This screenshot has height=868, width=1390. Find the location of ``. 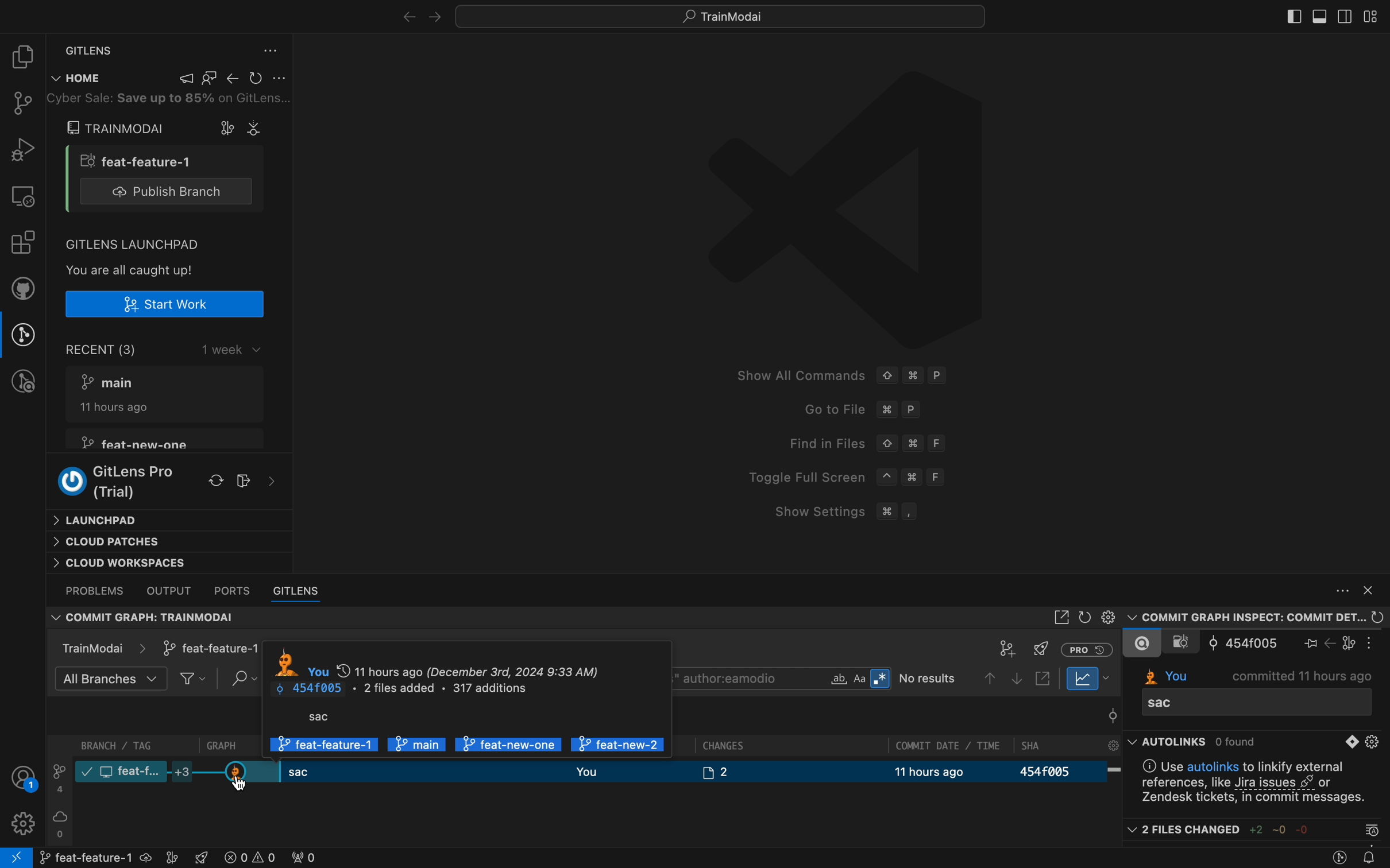

 is located at coordinates (256, 77).